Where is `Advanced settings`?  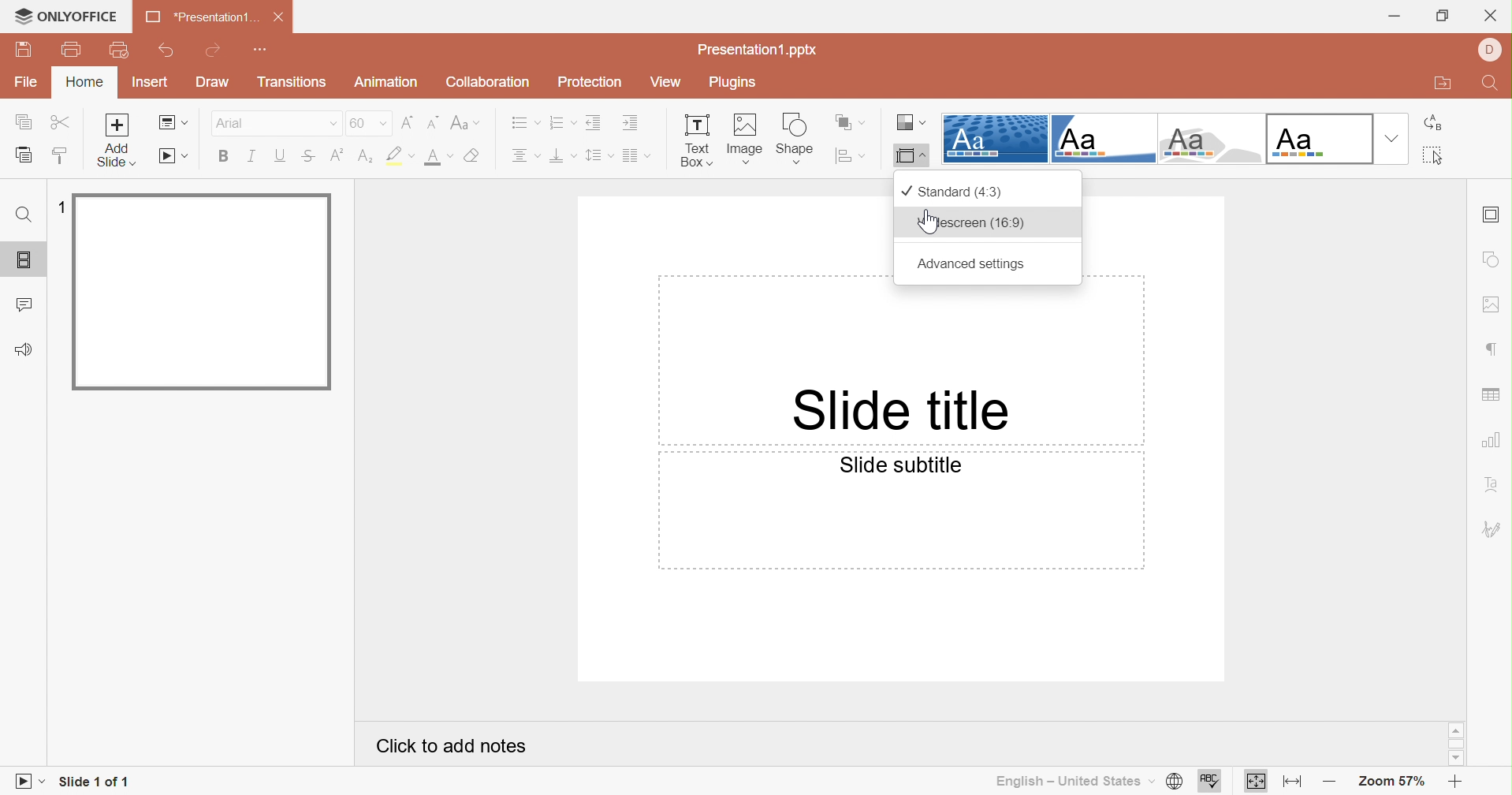
Advanced settings is located at coordinates (971, 263).